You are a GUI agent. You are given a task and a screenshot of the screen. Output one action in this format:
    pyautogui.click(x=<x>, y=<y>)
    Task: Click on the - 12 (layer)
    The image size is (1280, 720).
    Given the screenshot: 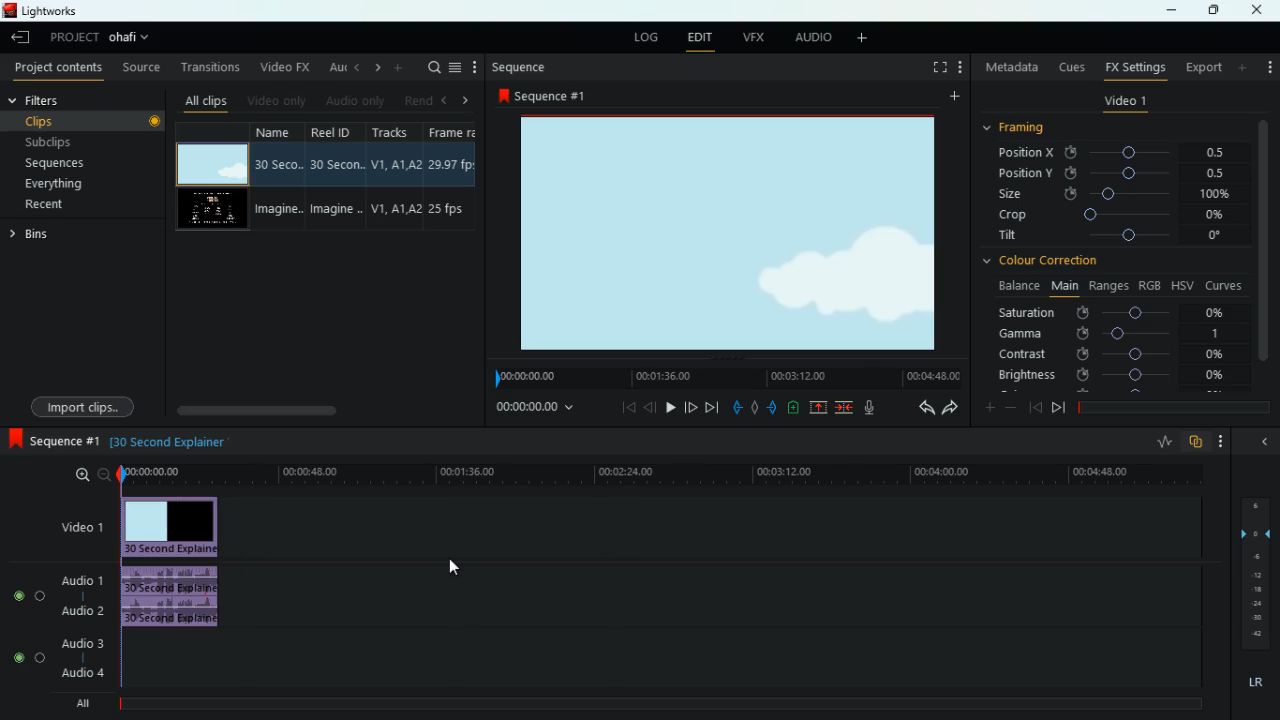 What is the action you would take?
    pyautogui.click(x=1258, y=574)
    